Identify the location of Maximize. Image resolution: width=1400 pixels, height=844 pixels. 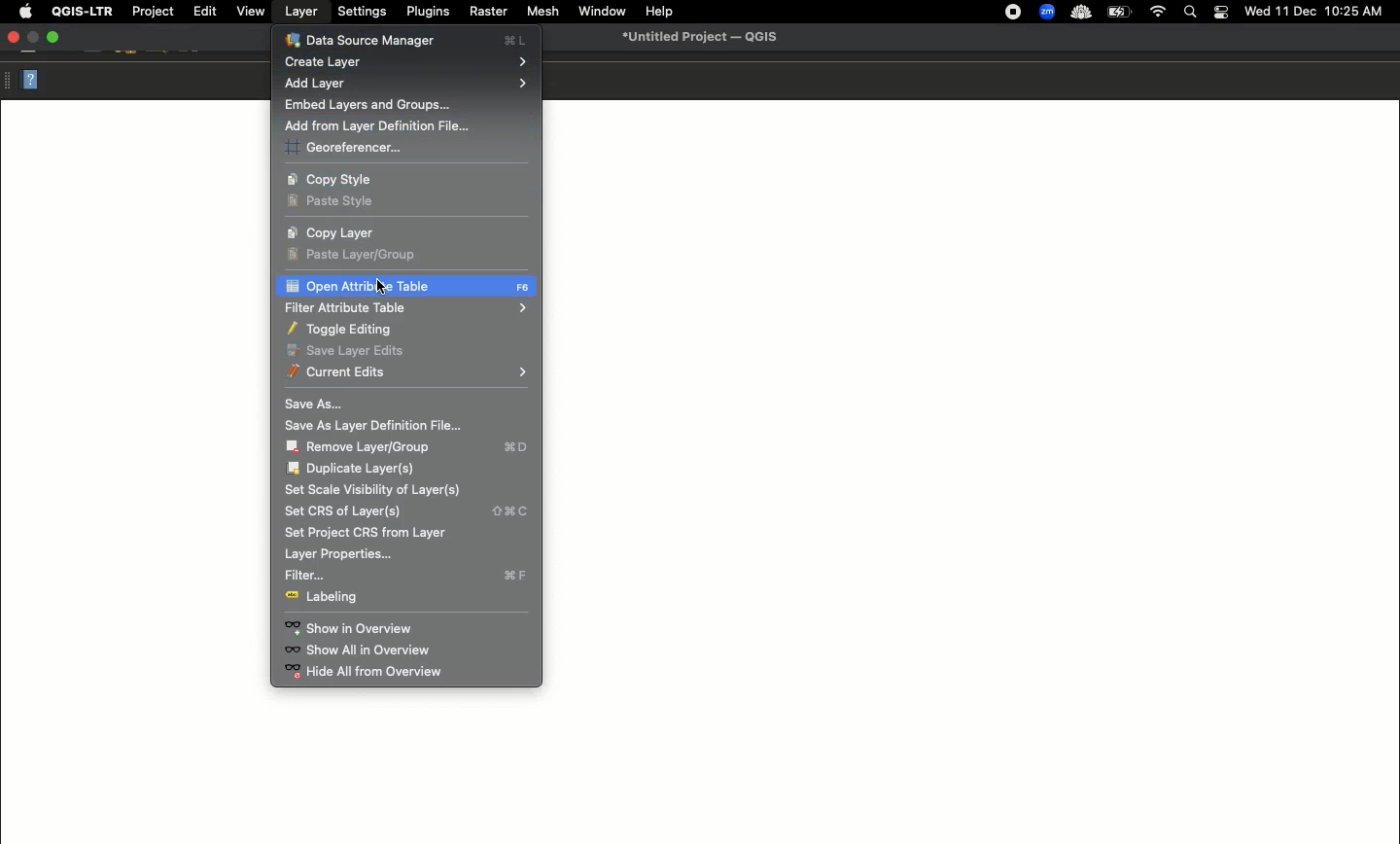
(56, 38).